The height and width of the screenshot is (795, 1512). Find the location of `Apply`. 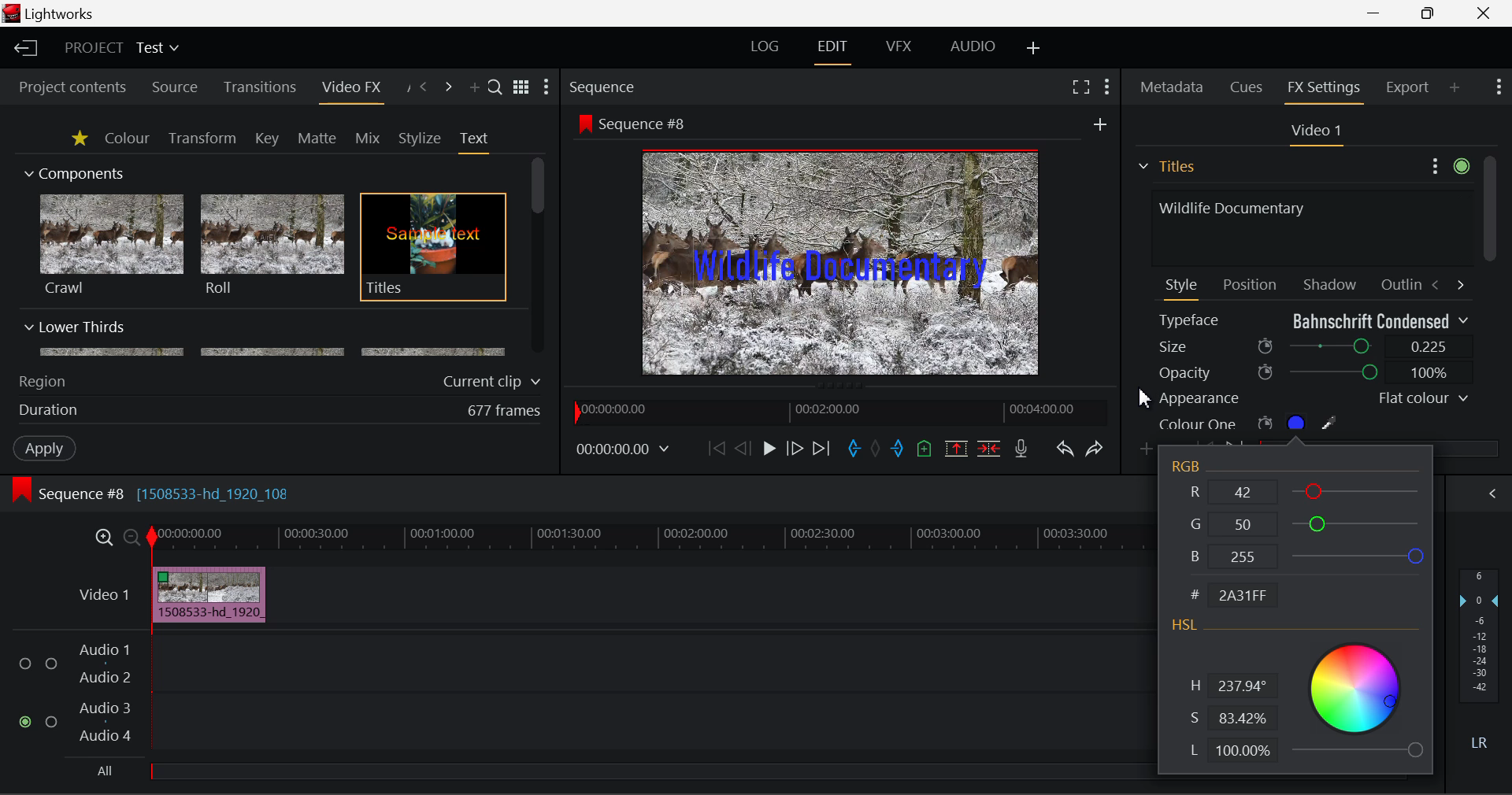

Apply is located at coordinates (46, 447).